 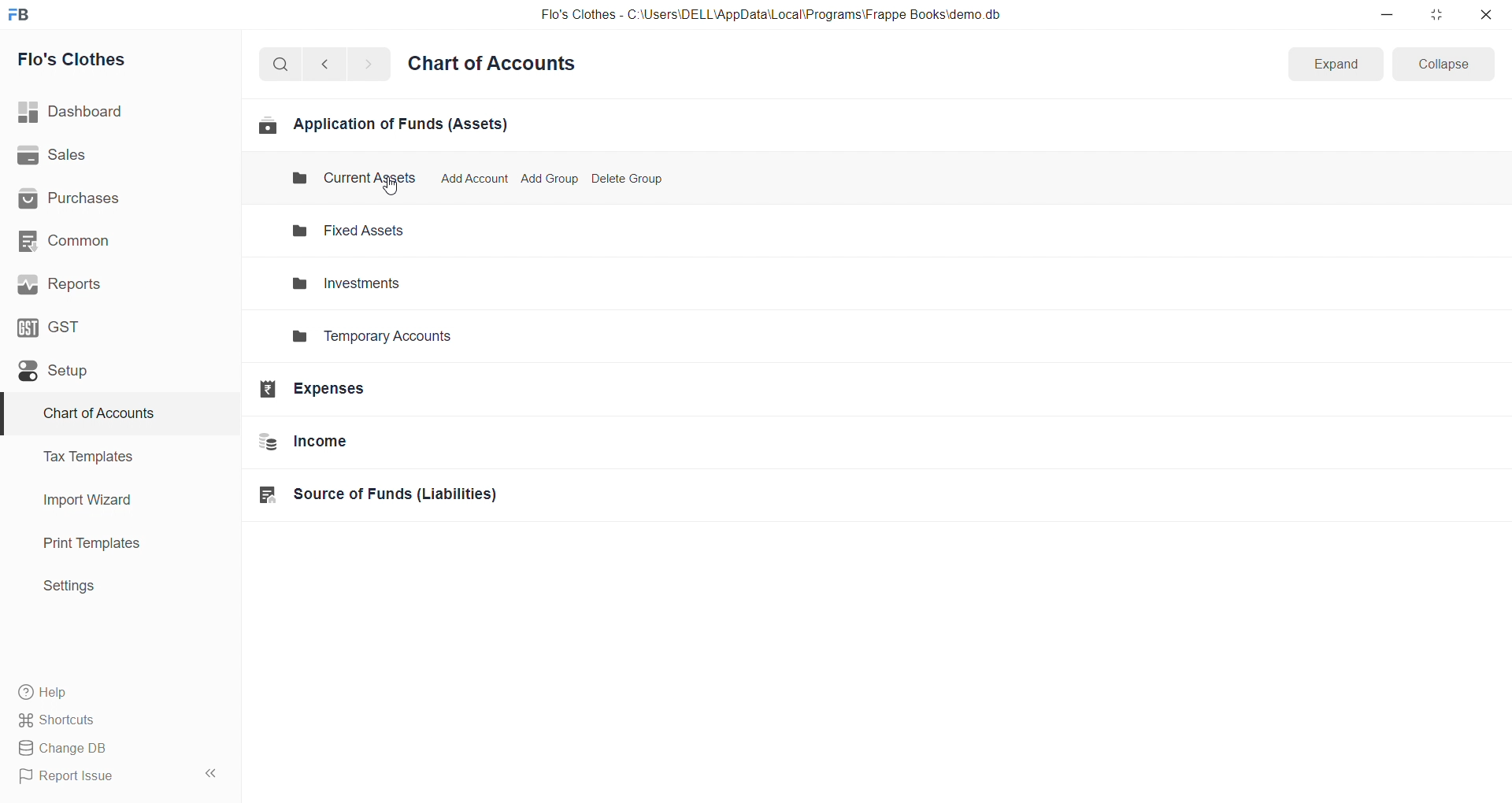 What do you see at coordinates (113, 749) in the screenshot?
I see `Change DB` at bounding box center [113, 749].